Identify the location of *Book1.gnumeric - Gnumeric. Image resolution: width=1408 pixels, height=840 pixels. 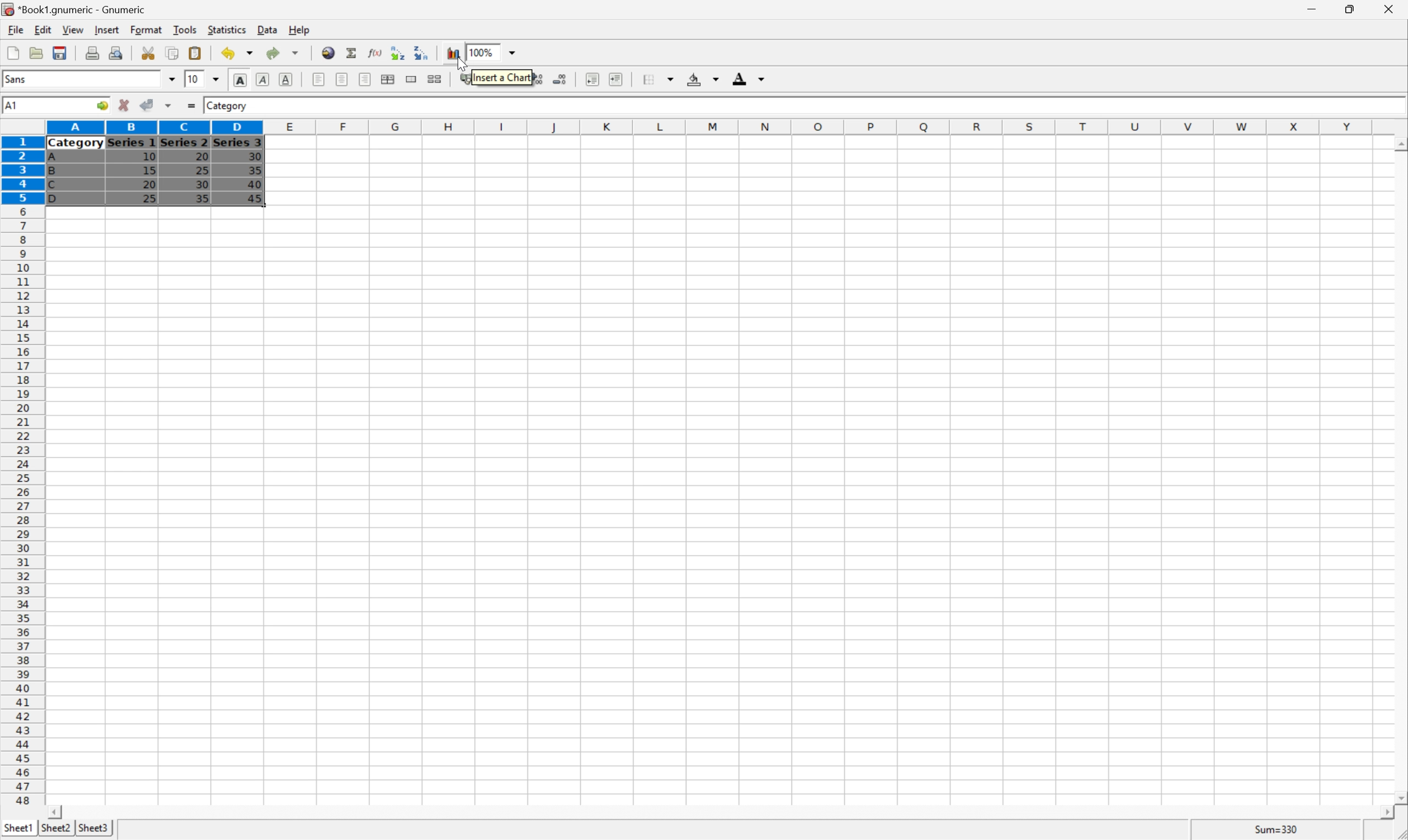
(76, 9).